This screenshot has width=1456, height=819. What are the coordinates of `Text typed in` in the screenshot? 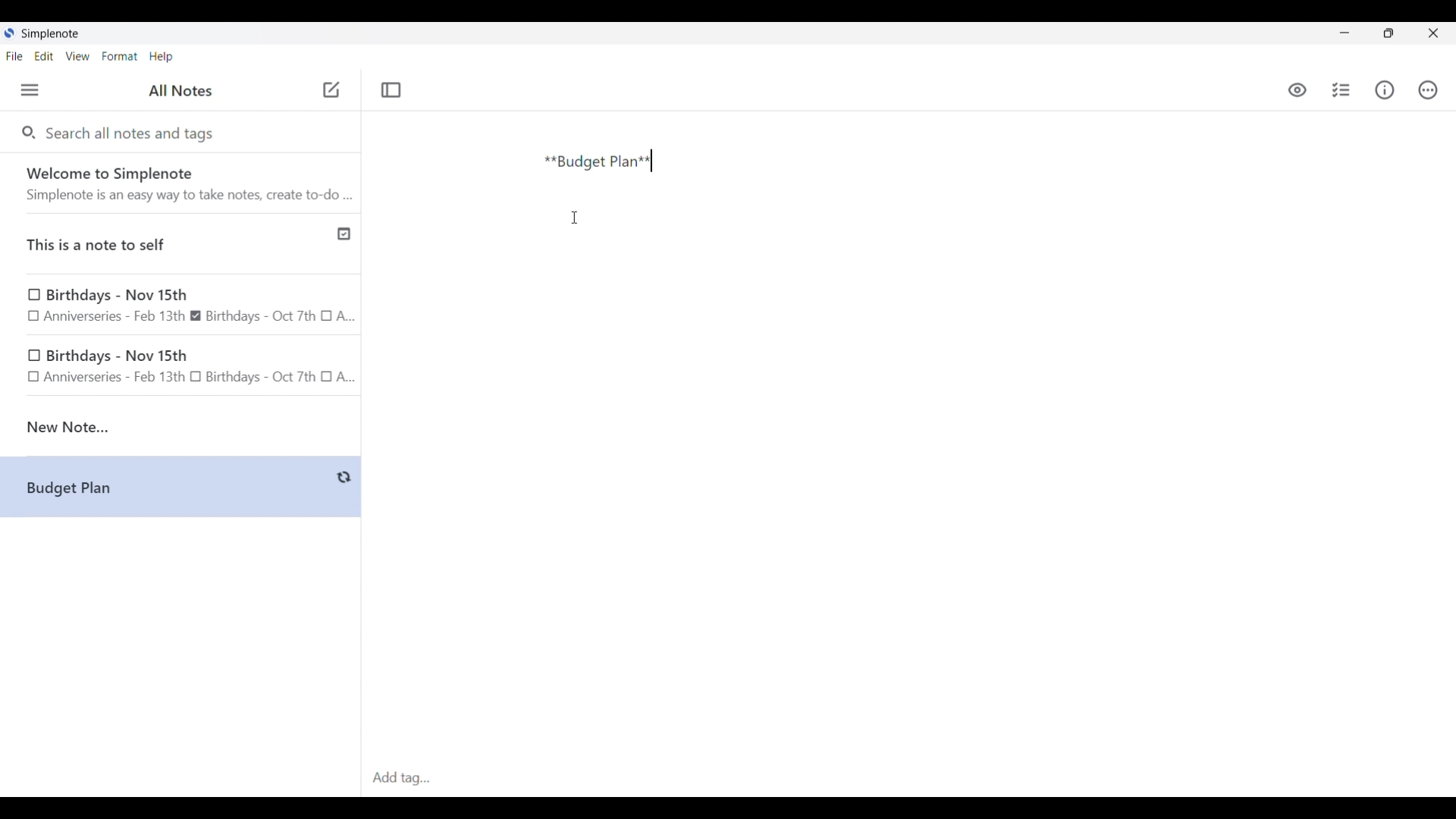 It's located at (598, 162).